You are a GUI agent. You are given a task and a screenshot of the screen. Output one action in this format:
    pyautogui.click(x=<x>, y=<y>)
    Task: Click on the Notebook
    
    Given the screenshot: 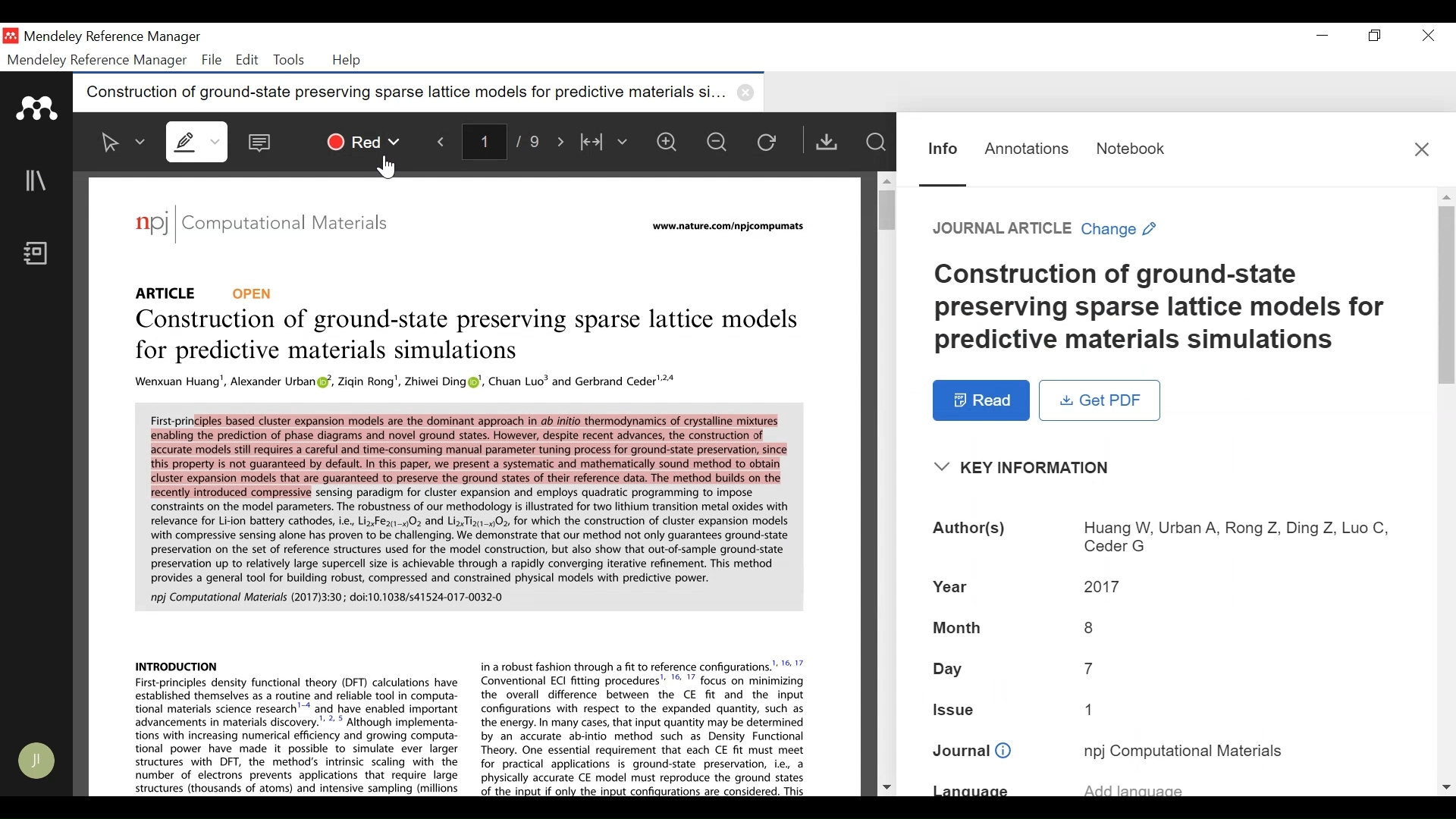 What is the action you would take?
    pyautogui.click(x=1138, y=152)
    